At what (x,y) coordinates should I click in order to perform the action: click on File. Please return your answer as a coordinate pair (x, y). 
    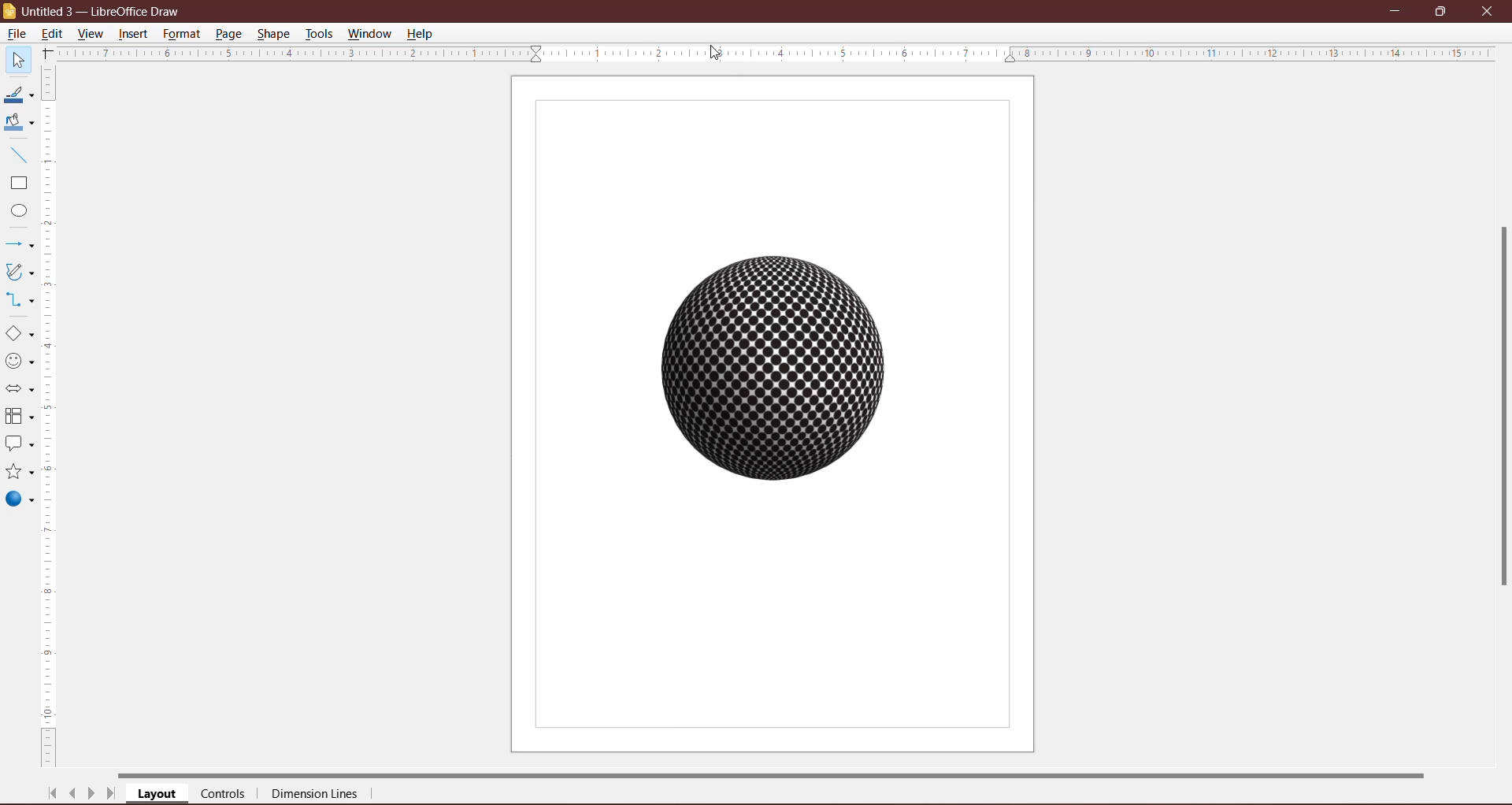
    Looking at the image, I should click on (16, 34).